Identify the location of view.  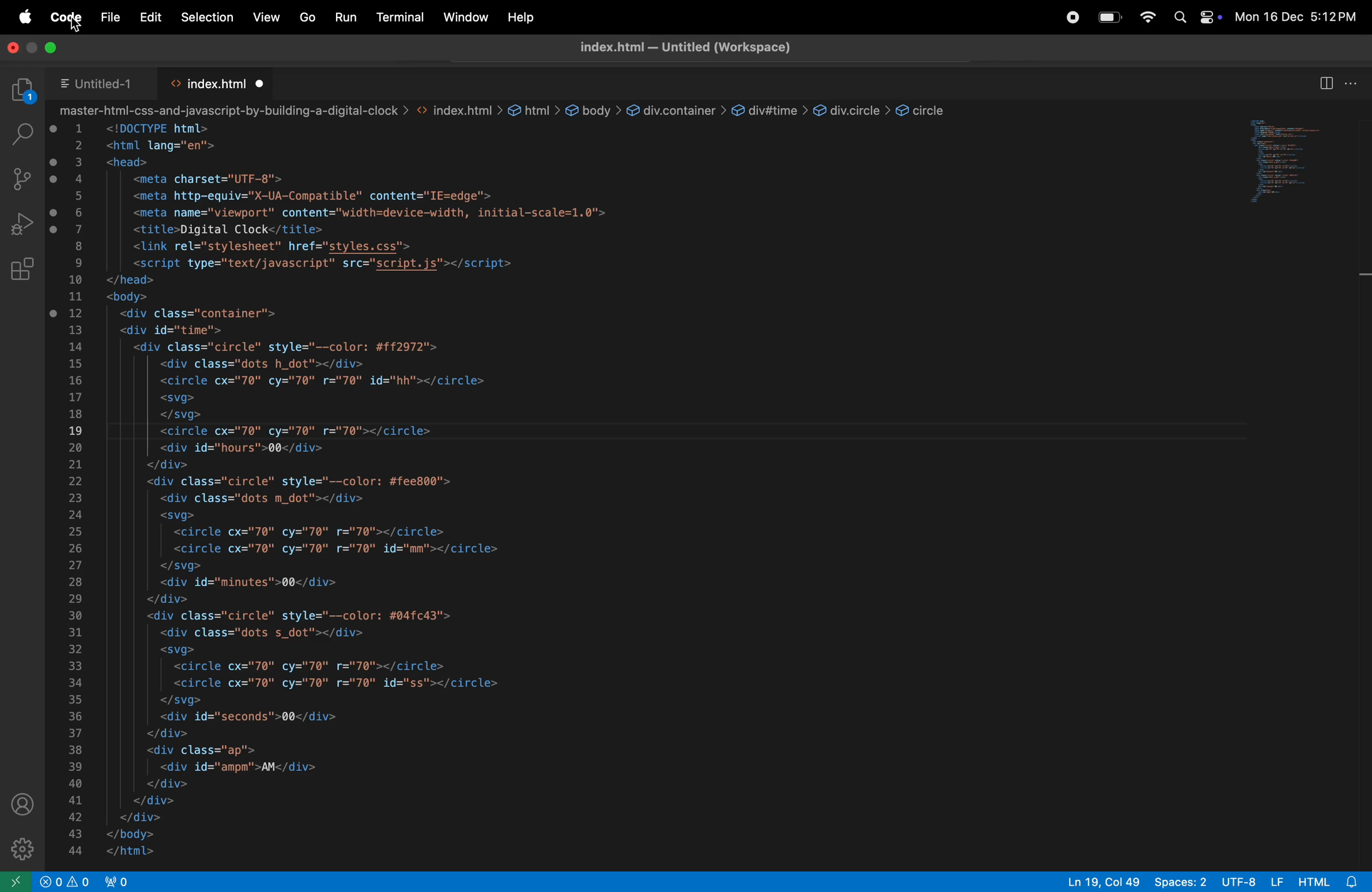
(268, 17).